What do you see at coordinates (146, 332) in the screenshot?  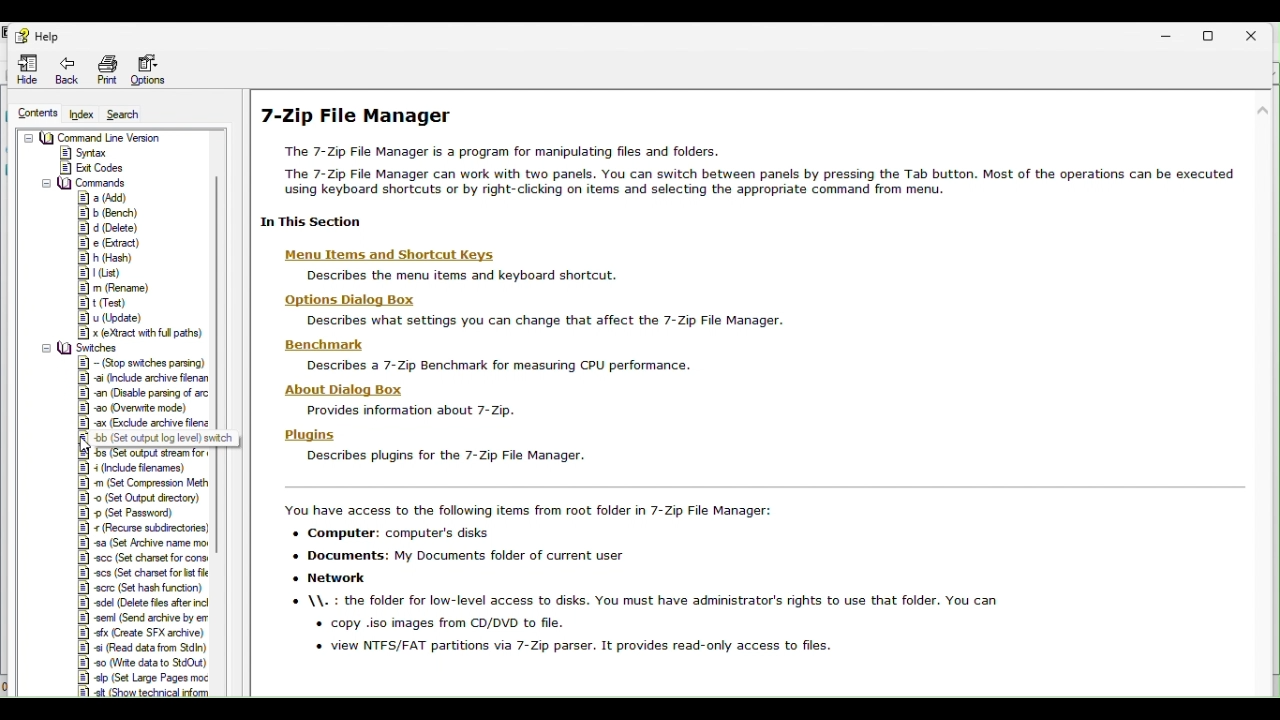 I see `&) x (eXtract with full paths)` at bounding box center [146, 332].